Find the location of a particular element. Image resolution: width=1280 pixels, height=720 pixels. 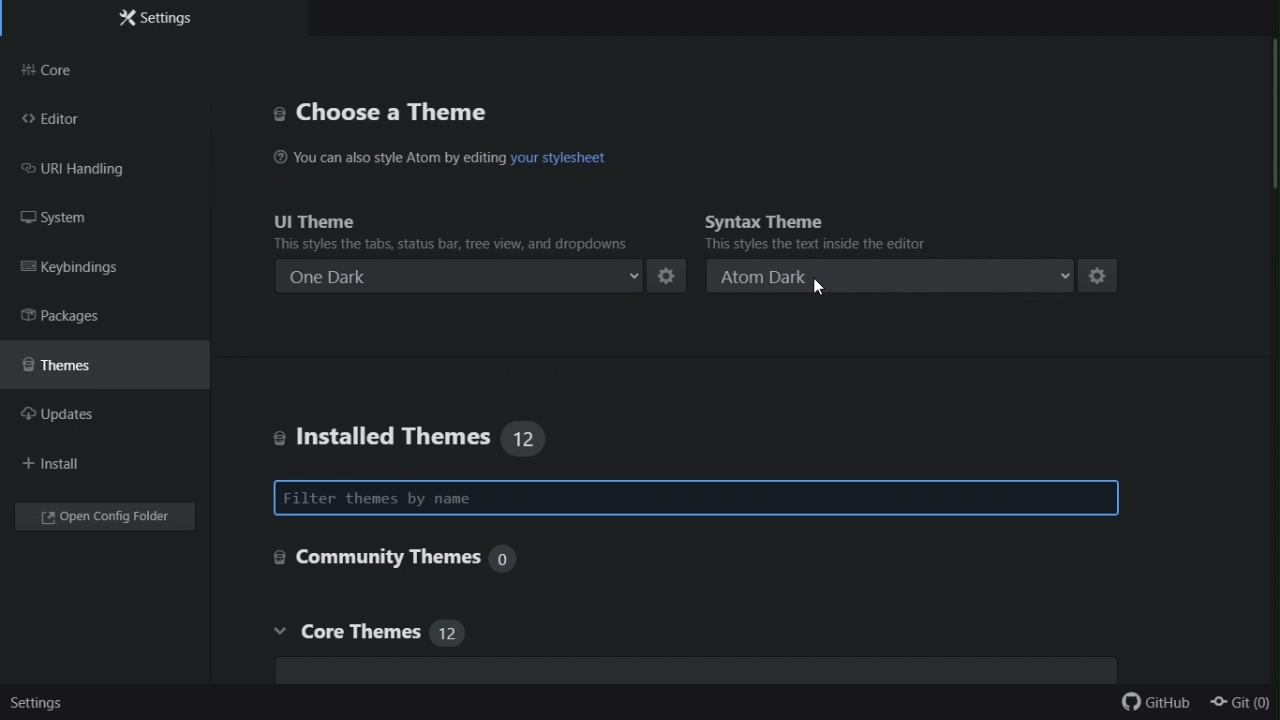

One dark is located at coordinates (482, 279).